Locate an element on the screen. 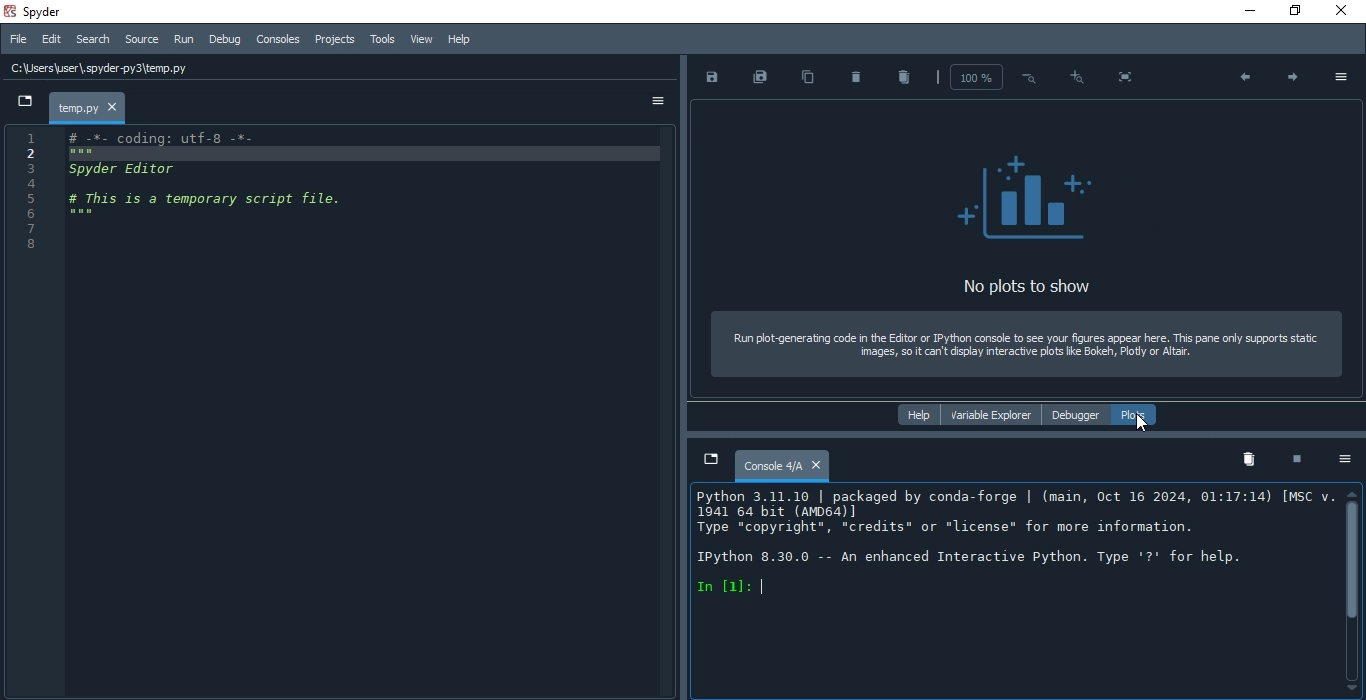  cursor is located at coordinates (1141, 426).